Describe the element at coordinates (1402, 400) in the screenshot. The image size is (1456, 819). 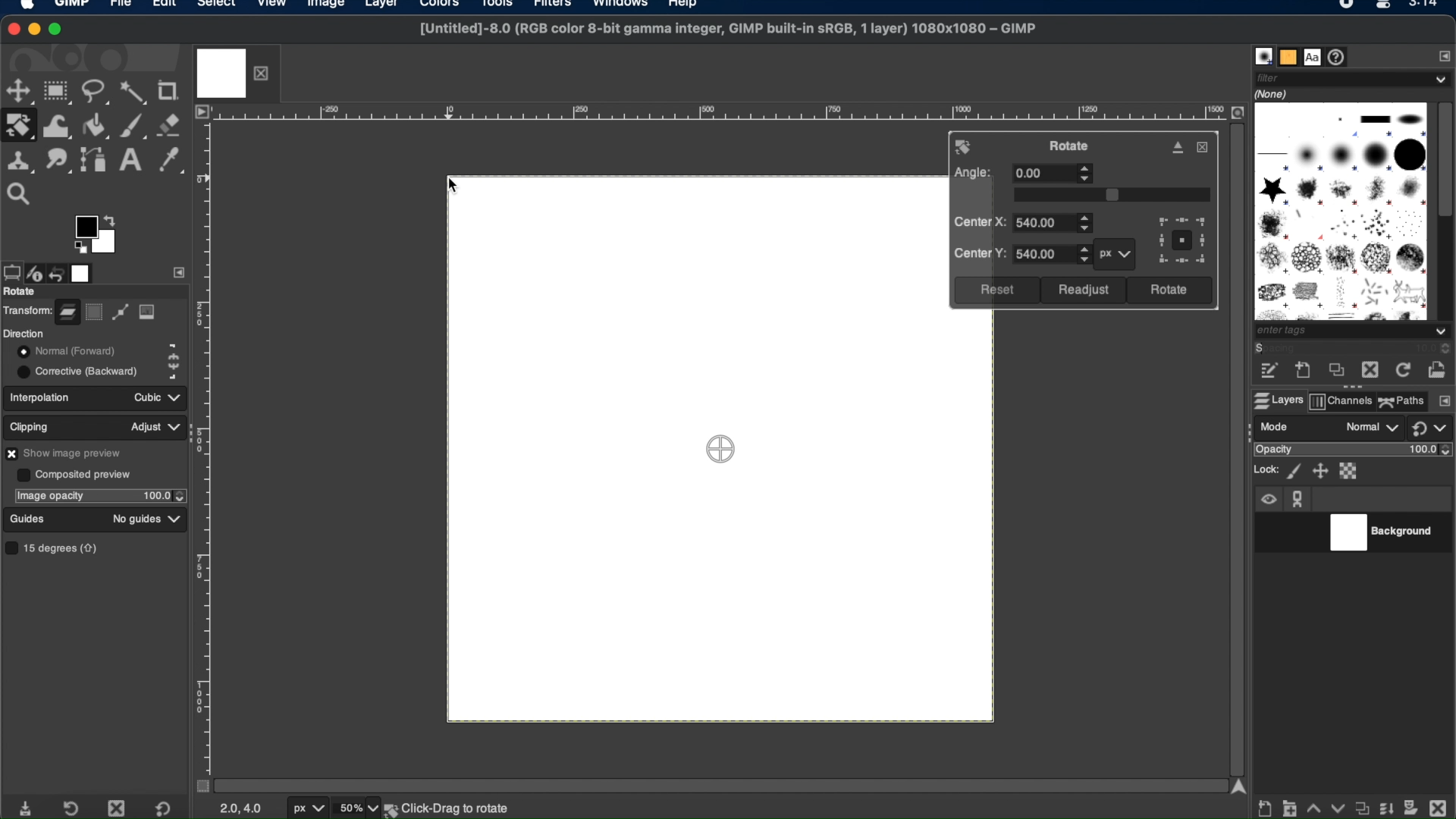
I see `paths` at that location.